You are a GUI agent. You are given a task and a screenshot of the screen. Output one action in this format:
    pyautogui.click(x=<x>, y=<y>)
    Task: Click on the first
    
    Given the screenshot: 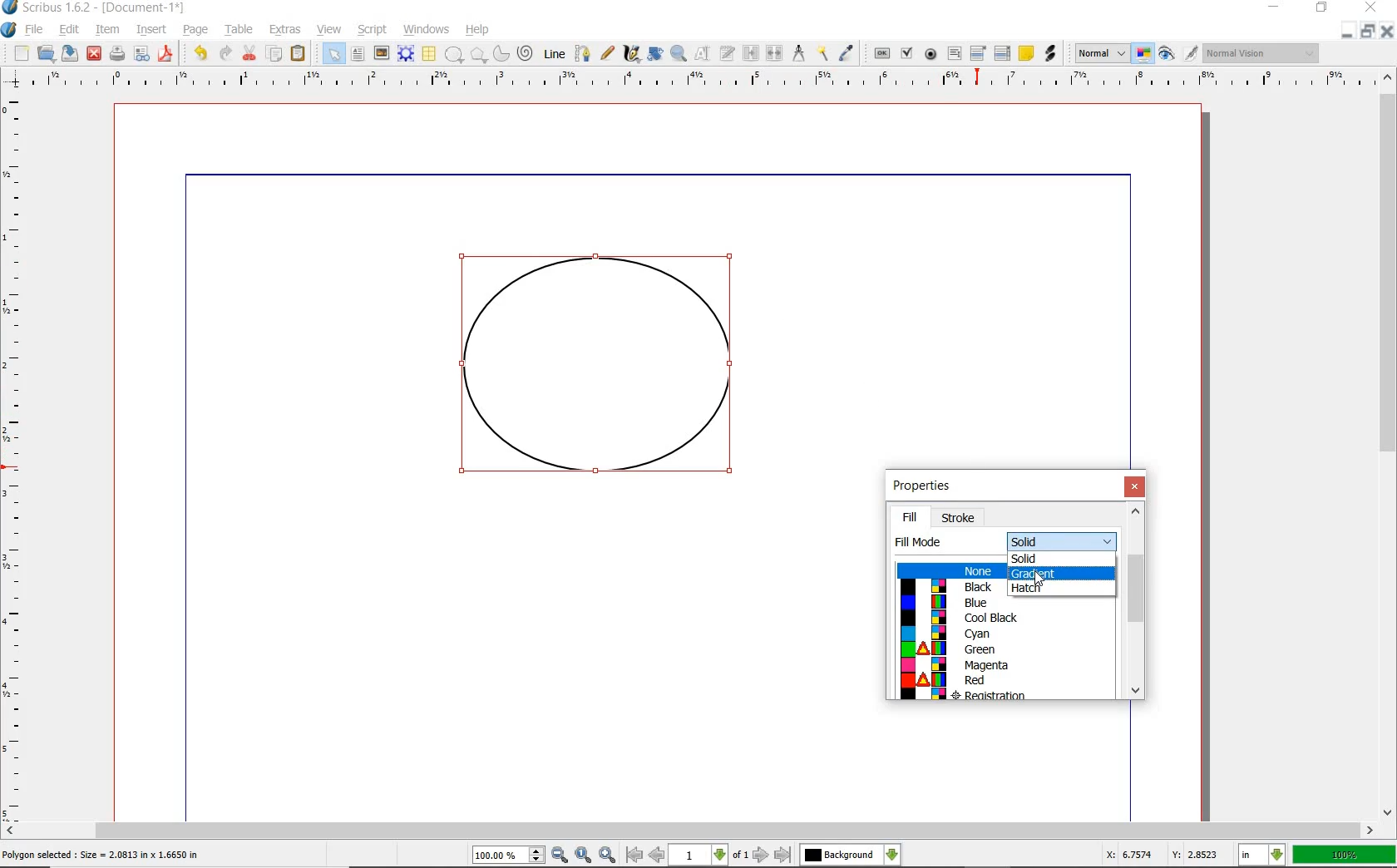 What is the action you would take?
    pyautogui.click(x=634, y=855)
    